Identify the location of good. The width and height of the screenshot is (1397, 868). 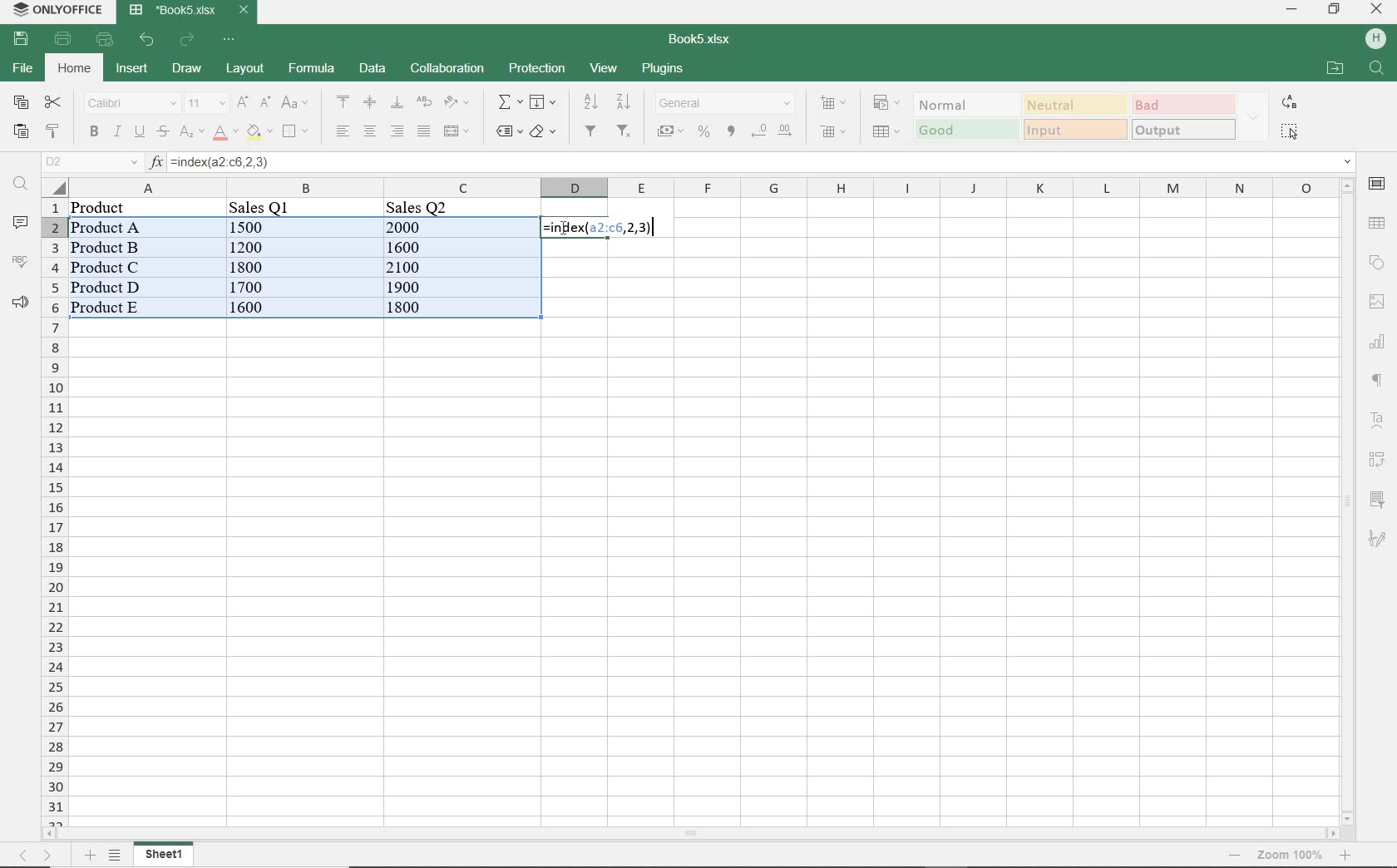
(965, 130).